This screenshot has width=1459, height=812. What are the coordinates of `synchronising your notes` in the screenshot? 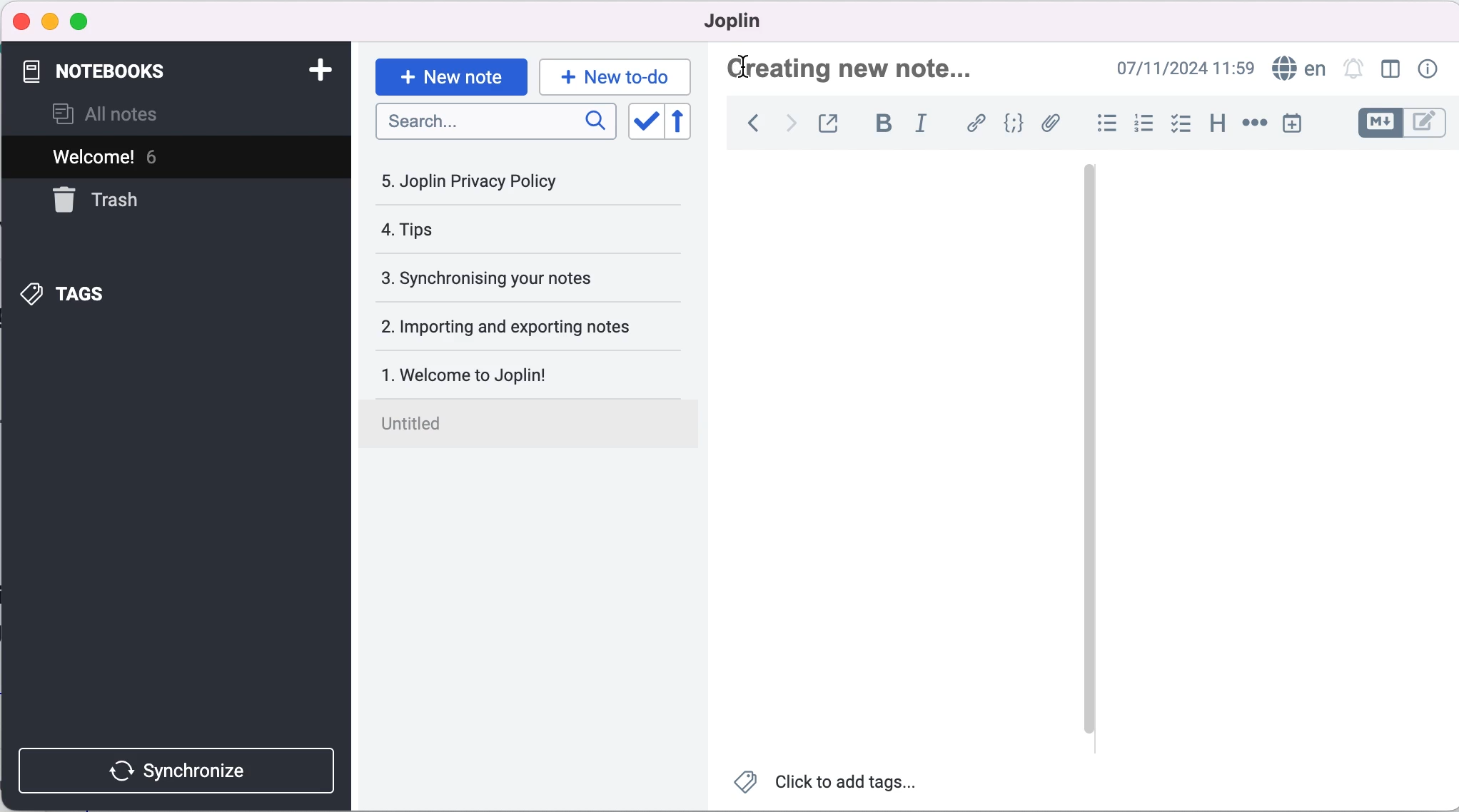 It's located at (519, 276).